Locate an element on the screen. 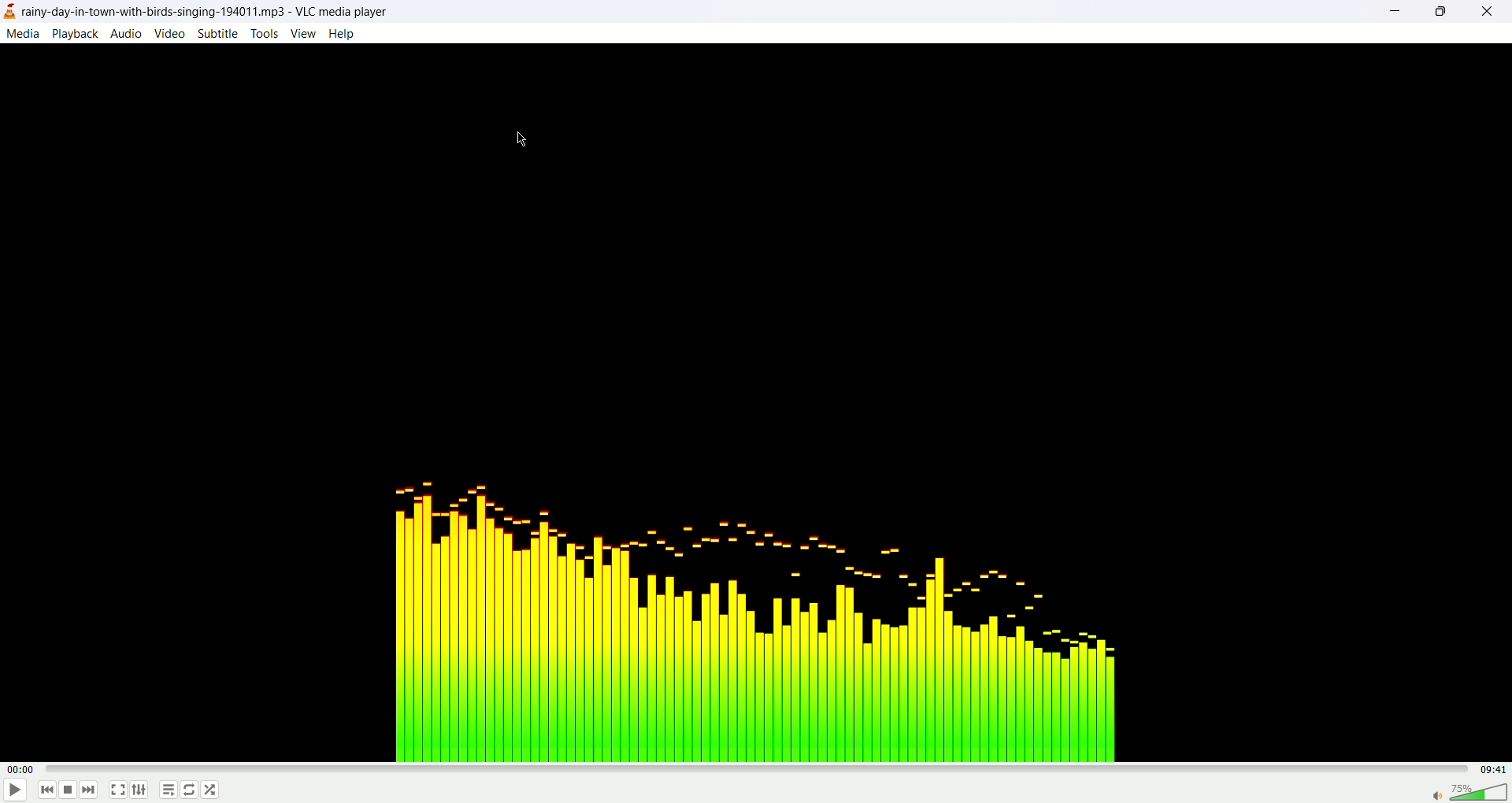 The image size is (1512, 803). help is located at coordinates (343, 34).